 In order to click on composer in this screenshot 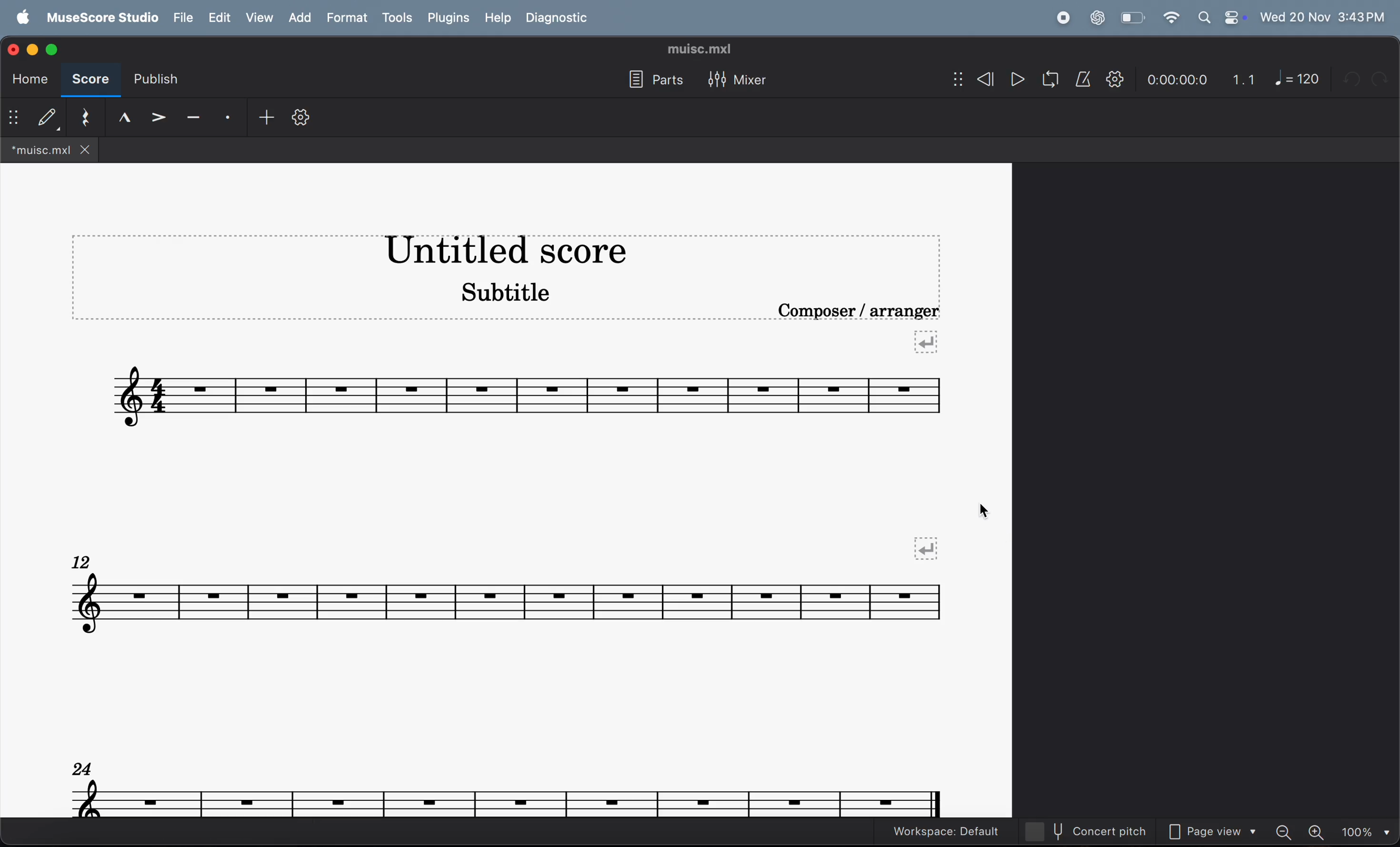, I will do `click(866, 310)`.